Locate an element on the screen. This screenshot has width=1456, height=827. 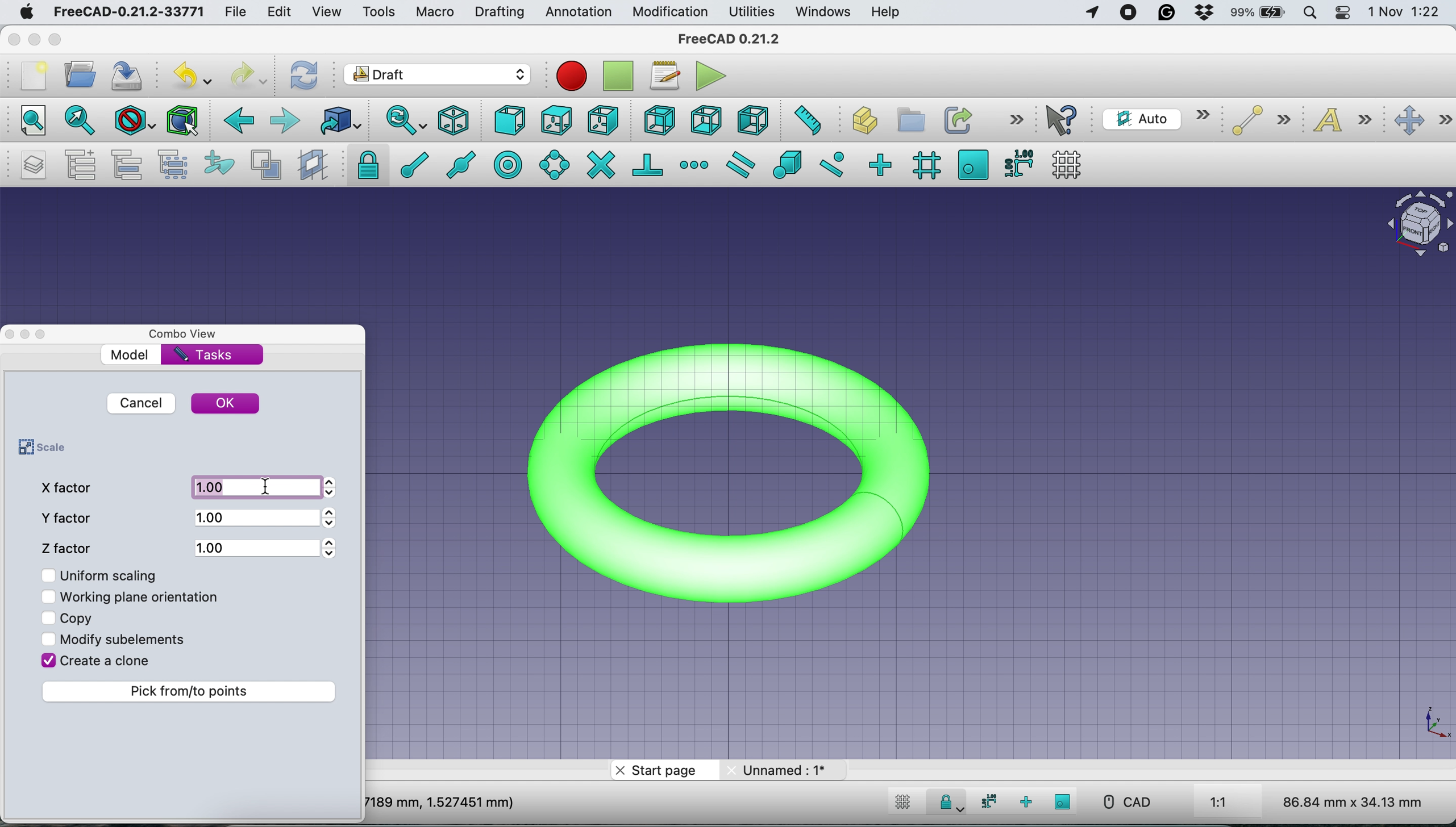
close is located at coordinates (12, 39).